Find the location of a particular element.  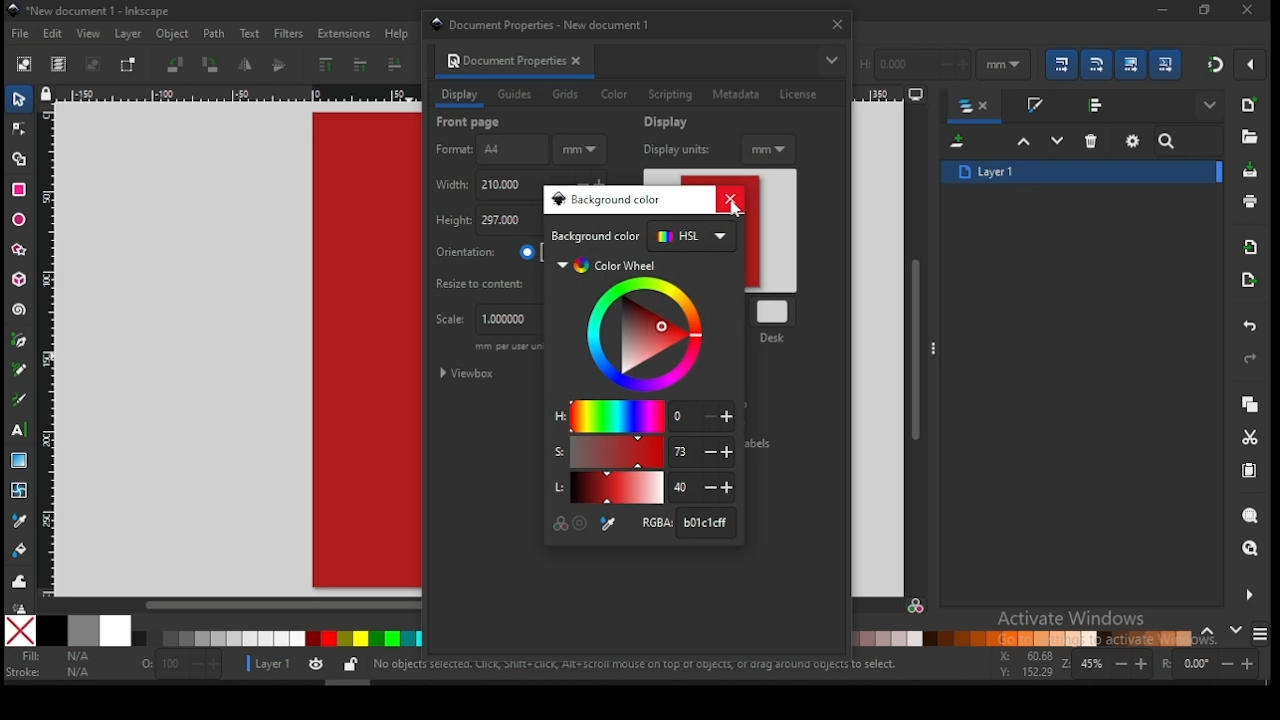

align and distribute is located at coordinates (1098, 104).